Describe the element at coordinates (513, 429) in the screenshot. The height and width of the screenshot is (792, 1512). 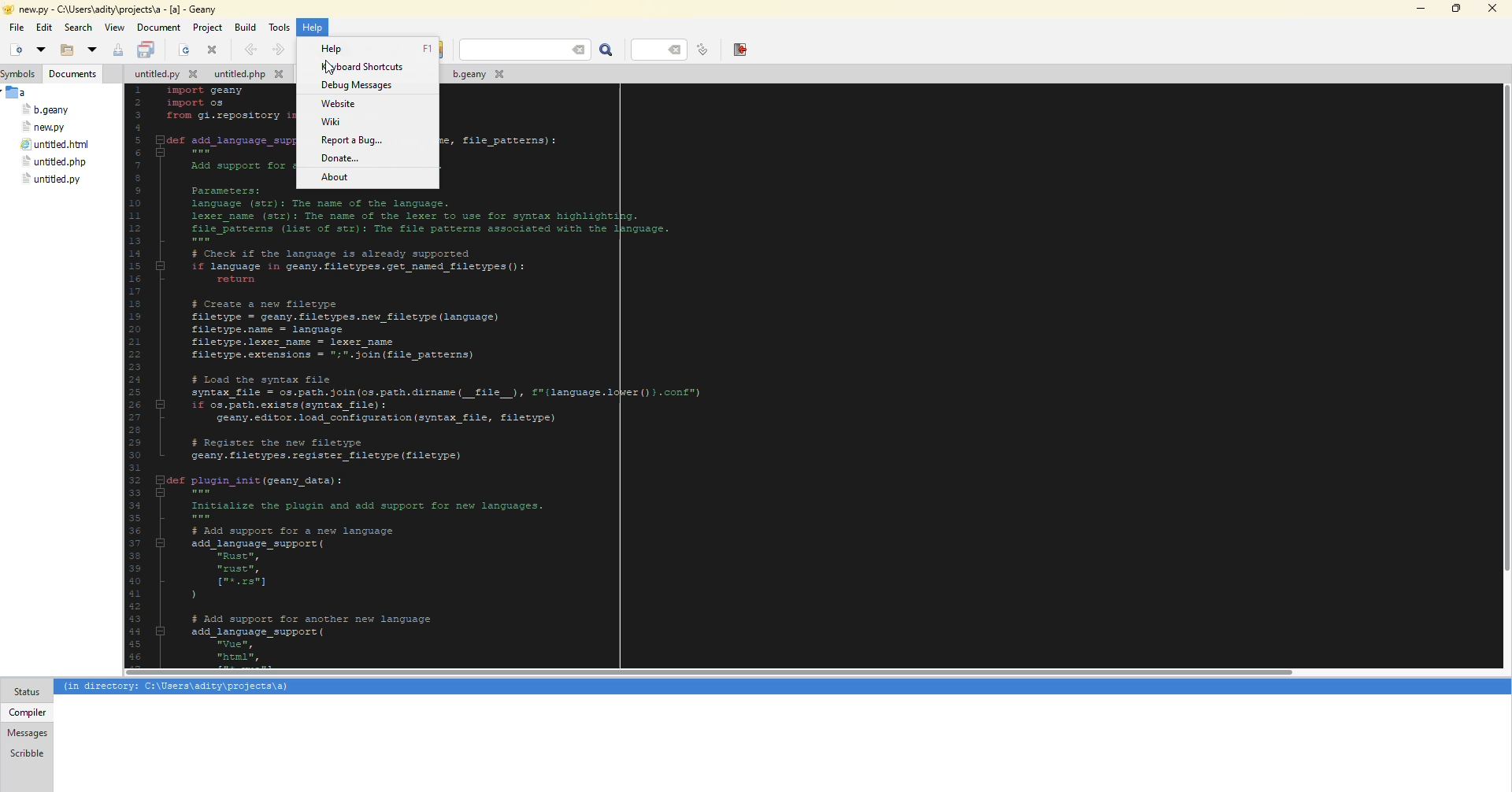
I see `code` at that location.